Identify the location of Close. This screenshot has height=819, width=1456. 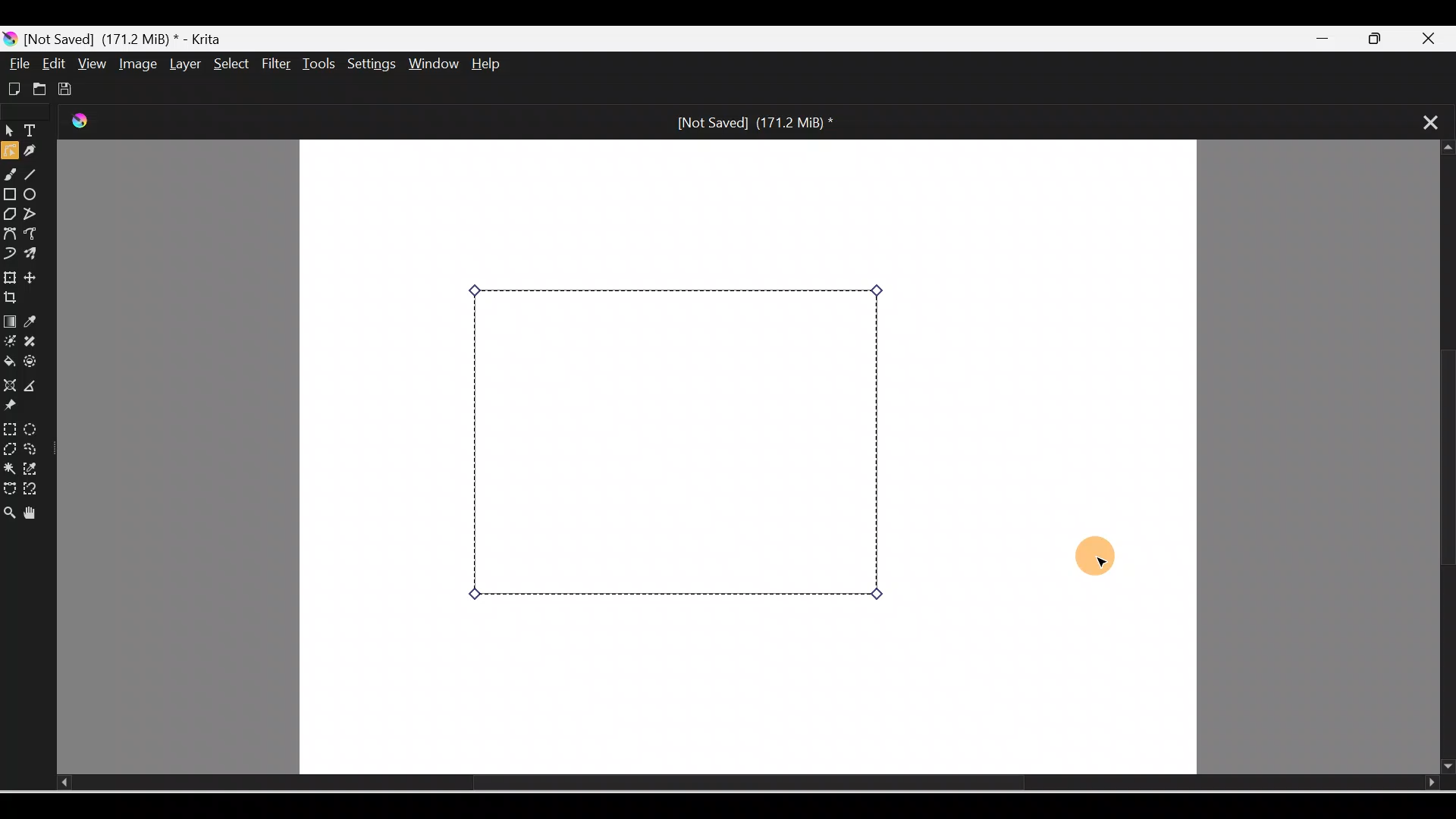
(1436, 36).